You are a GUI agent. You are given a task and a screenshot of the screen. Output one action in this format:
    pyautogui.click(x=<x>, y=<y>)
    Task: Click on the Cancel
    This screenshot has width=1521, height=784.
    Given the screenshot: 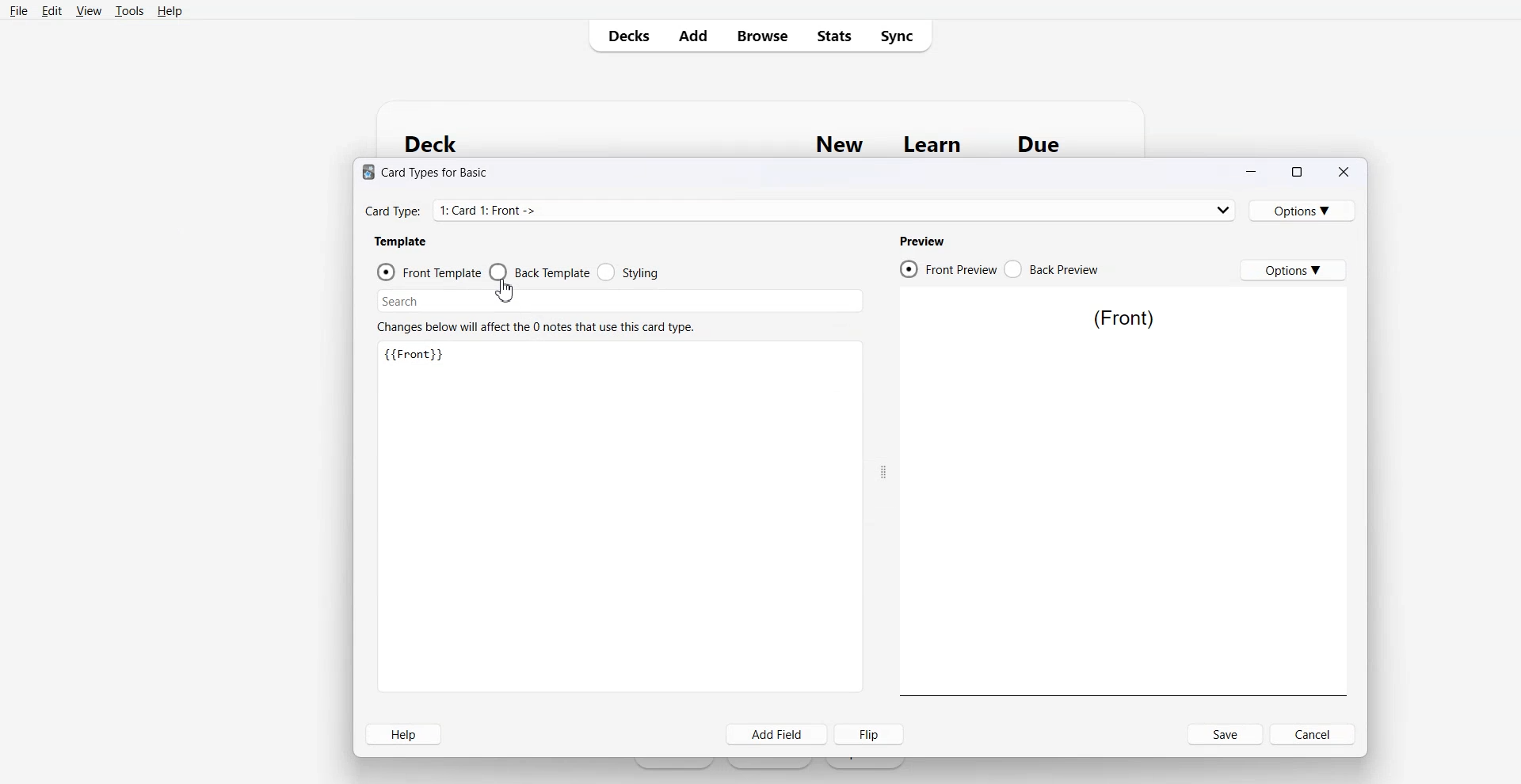 What is the action you would take?
    pyautogui.click(x=1312, y=734)
    